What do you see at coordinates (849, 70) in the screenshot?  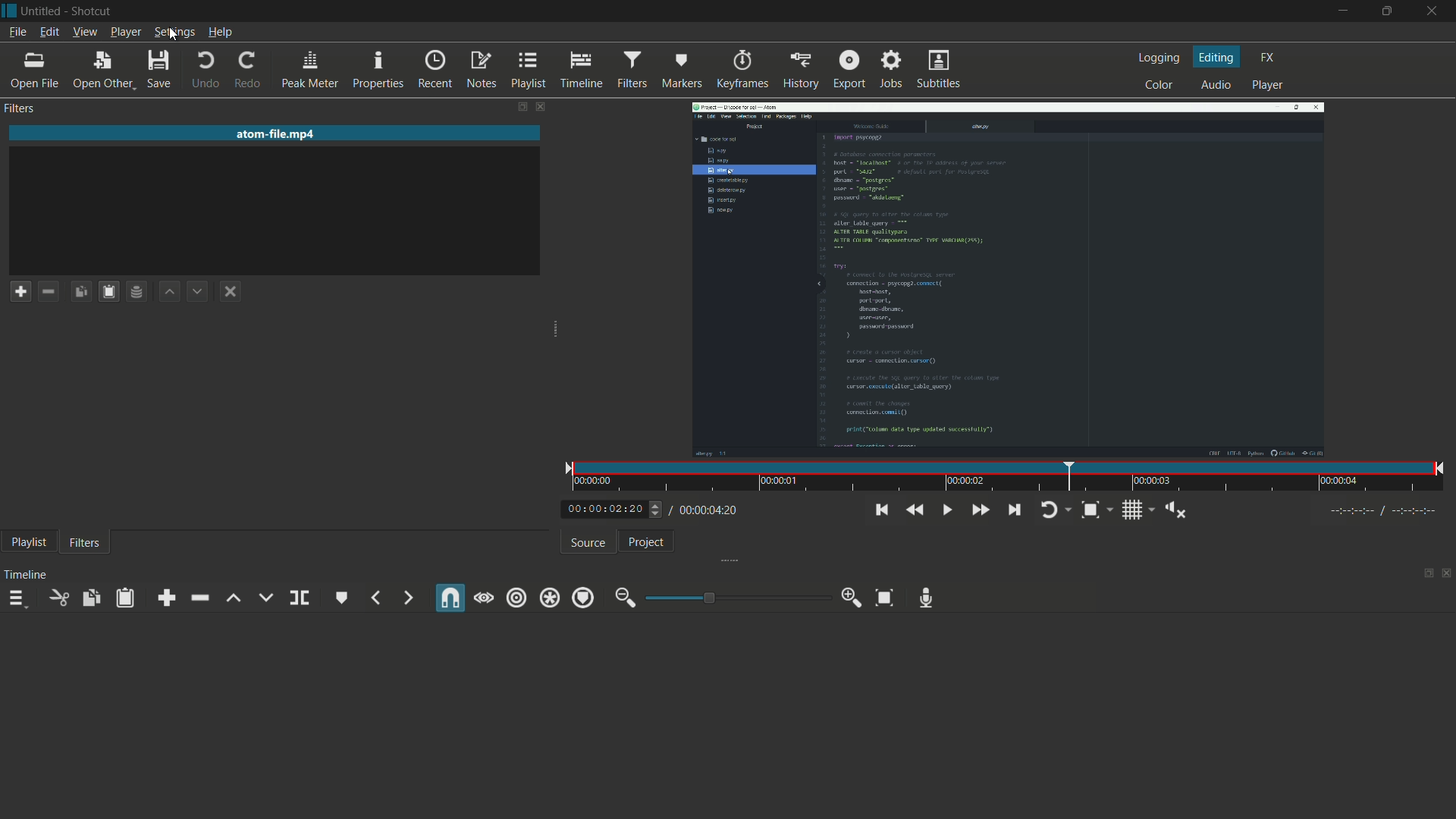 I see `export` at bounding box center [849, 70].